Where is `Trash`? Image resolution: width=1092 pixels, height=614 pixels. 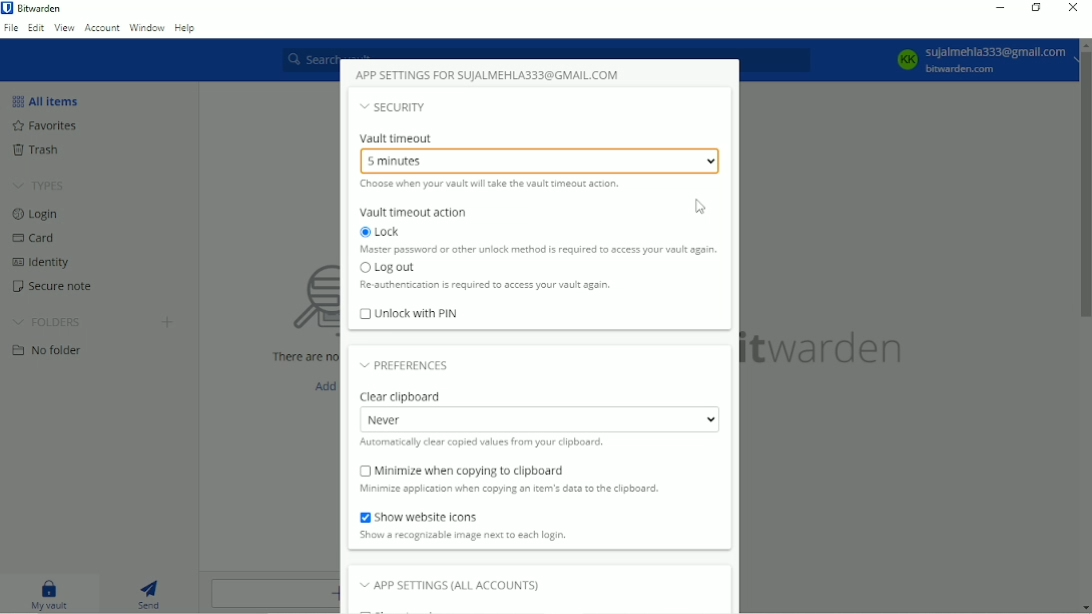 Trash is located at coordinates (37, 149).